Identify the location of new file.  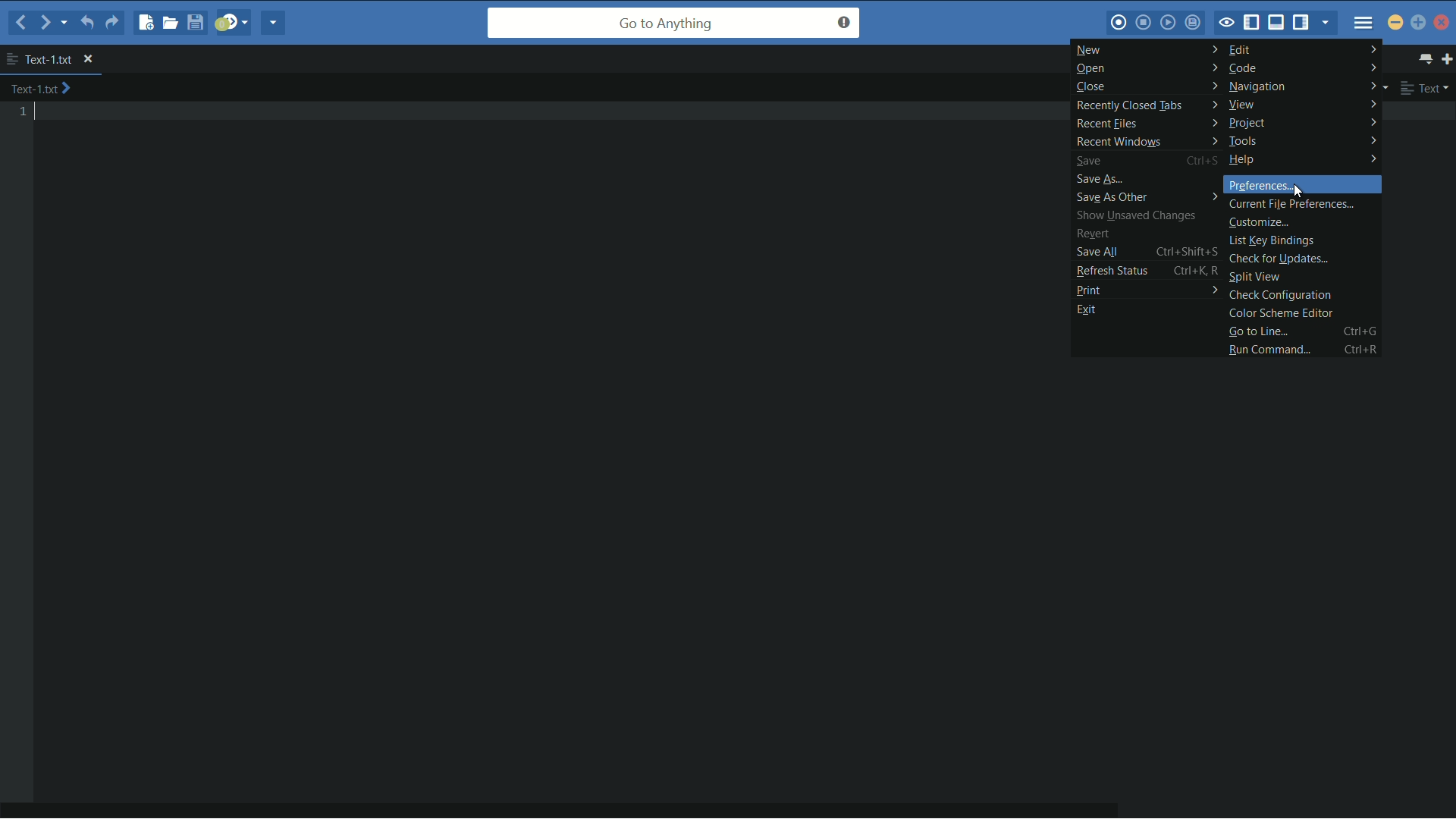
(146, 24).